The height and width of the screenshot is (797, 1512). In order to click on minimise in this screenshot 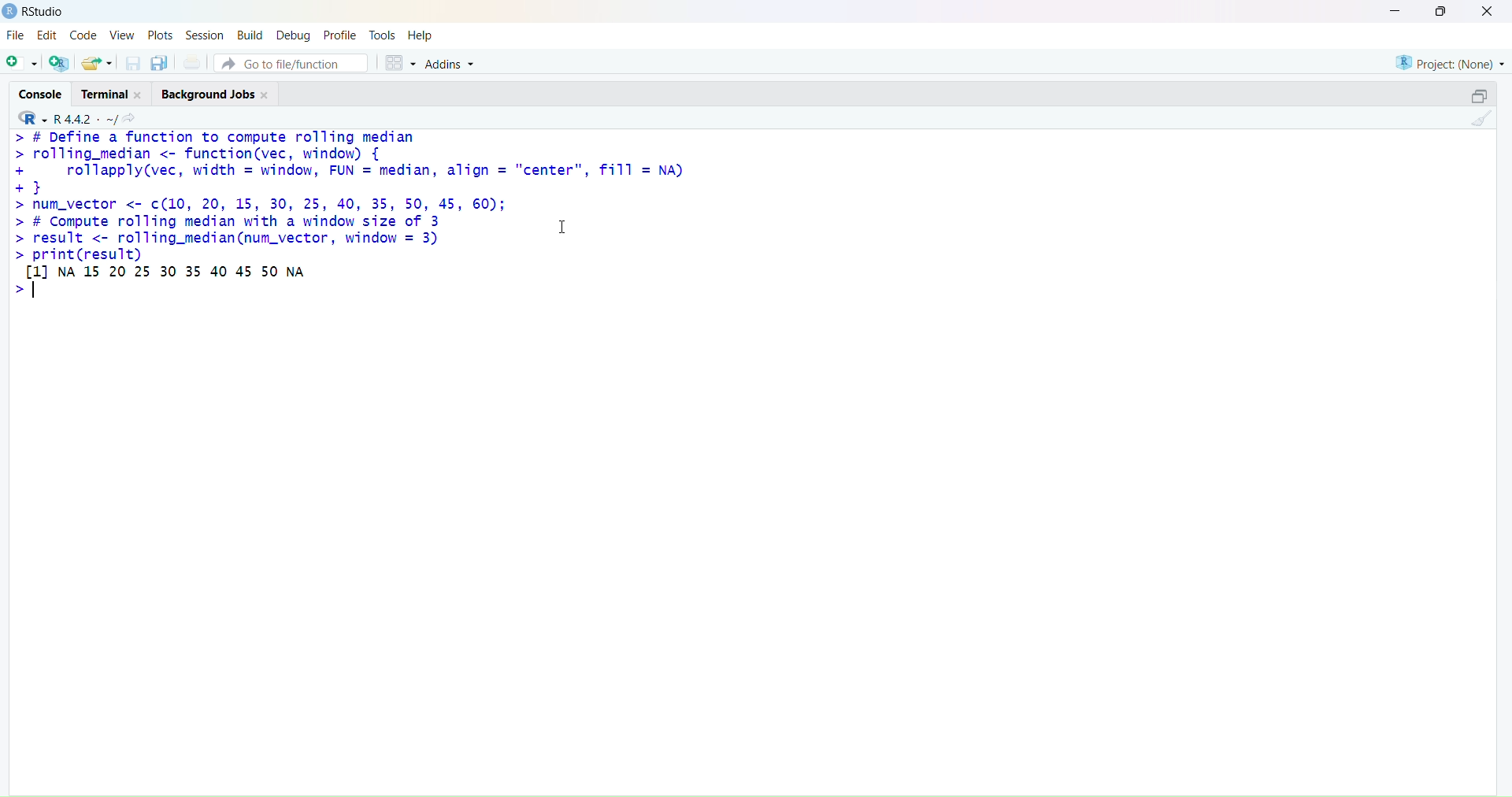, I will do `click(1395, 9)`.